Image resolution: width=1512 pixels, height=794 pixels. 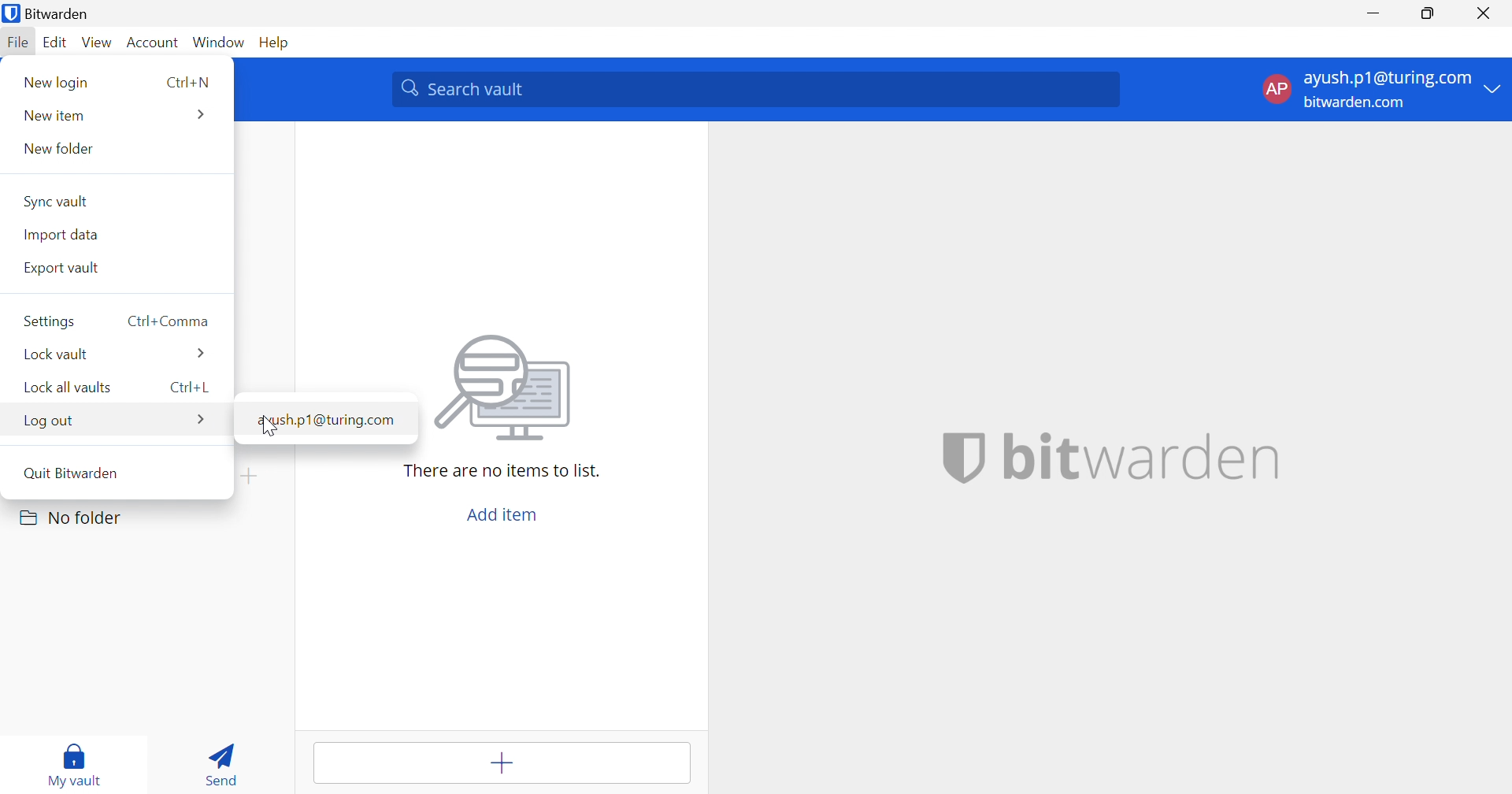 I want to click on My vault, so click(x=76, y=761).